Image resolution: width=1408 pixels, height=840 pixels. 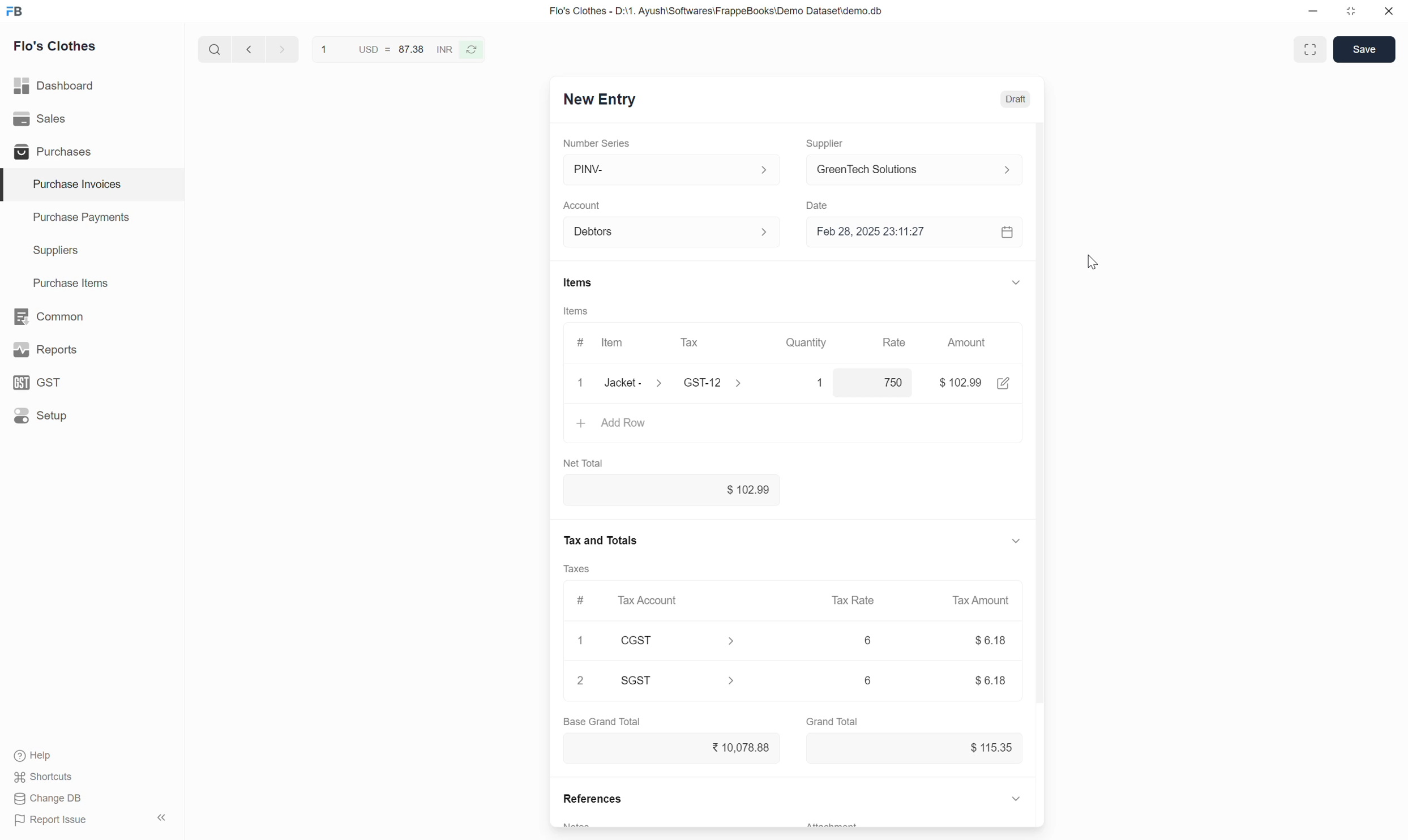 I want to click on Close, so click(x=581, y=383).